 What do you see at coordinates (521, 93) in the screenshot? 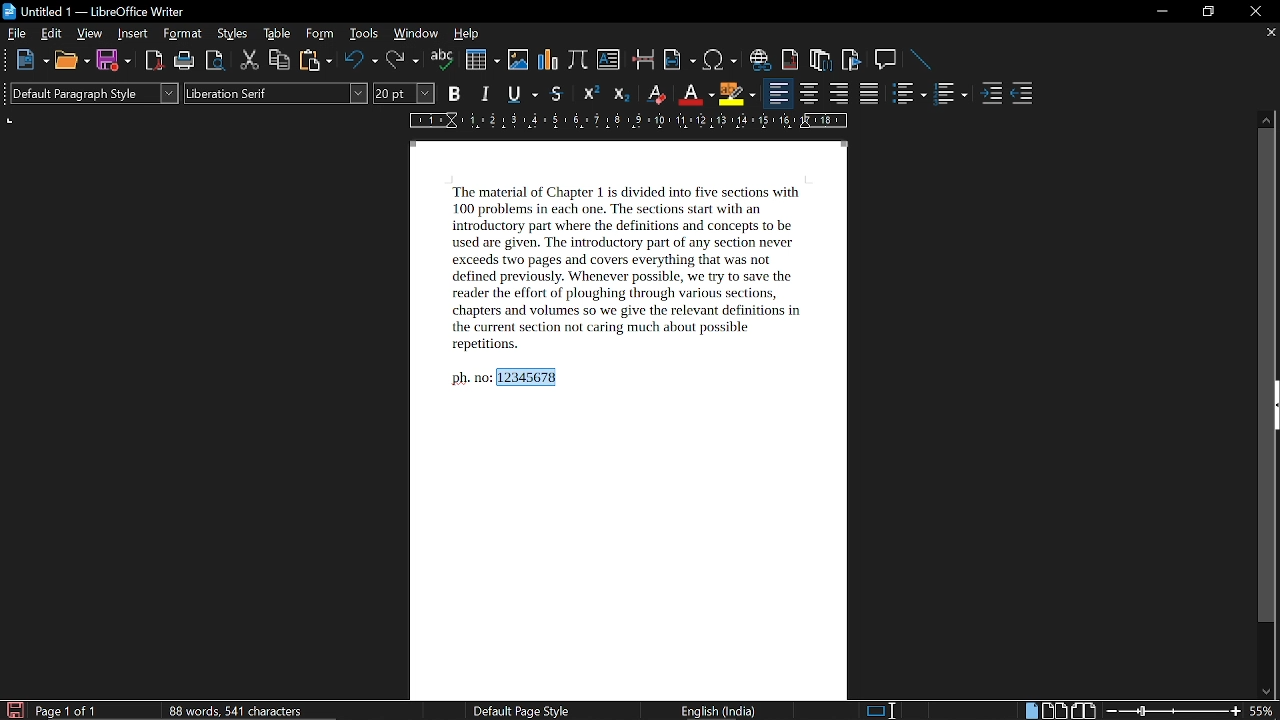
I see `underline` at bounding box center [521, 93].